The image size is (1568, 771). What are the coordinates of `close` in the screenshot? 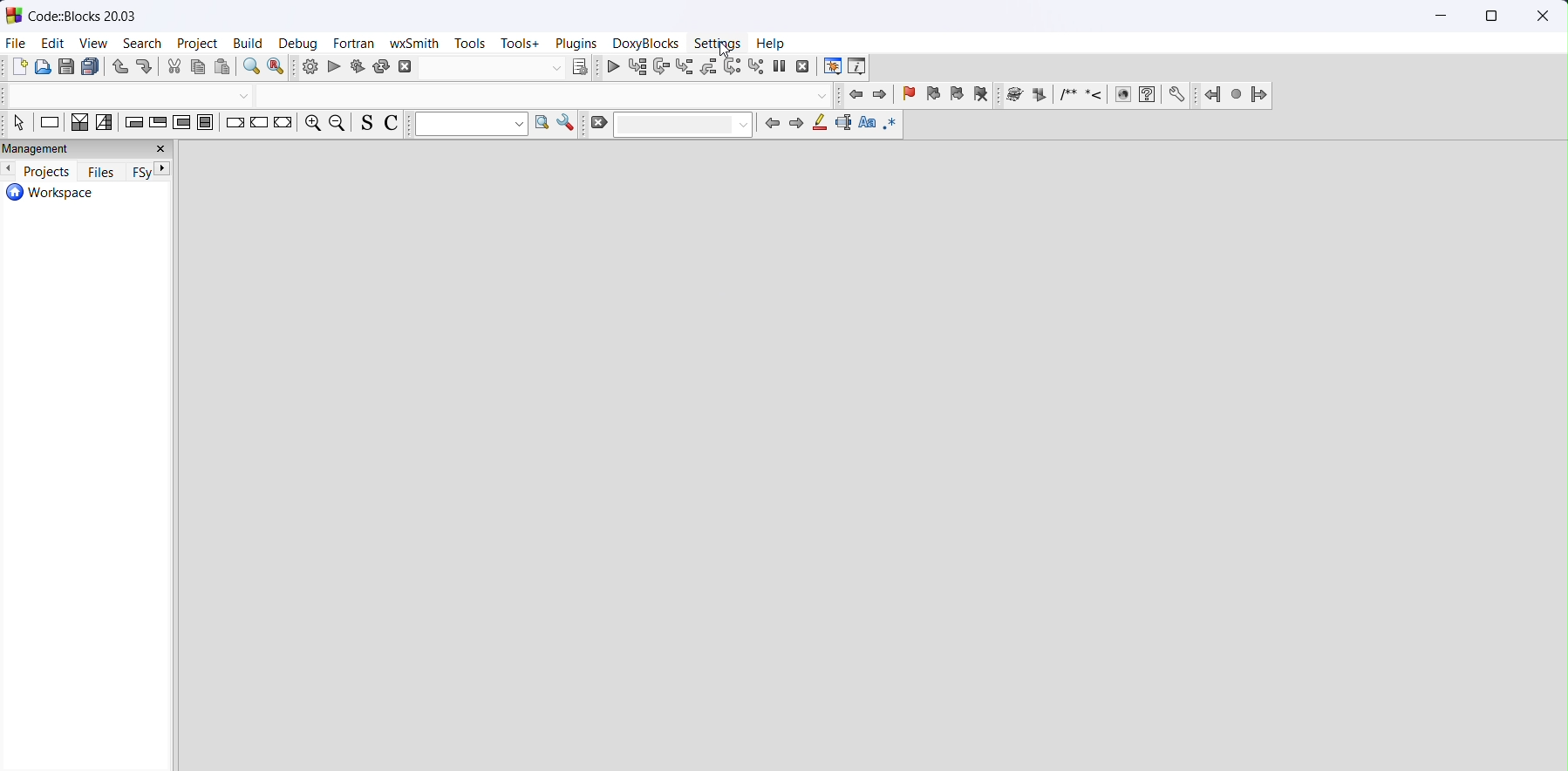 It's located at (1540, 17).